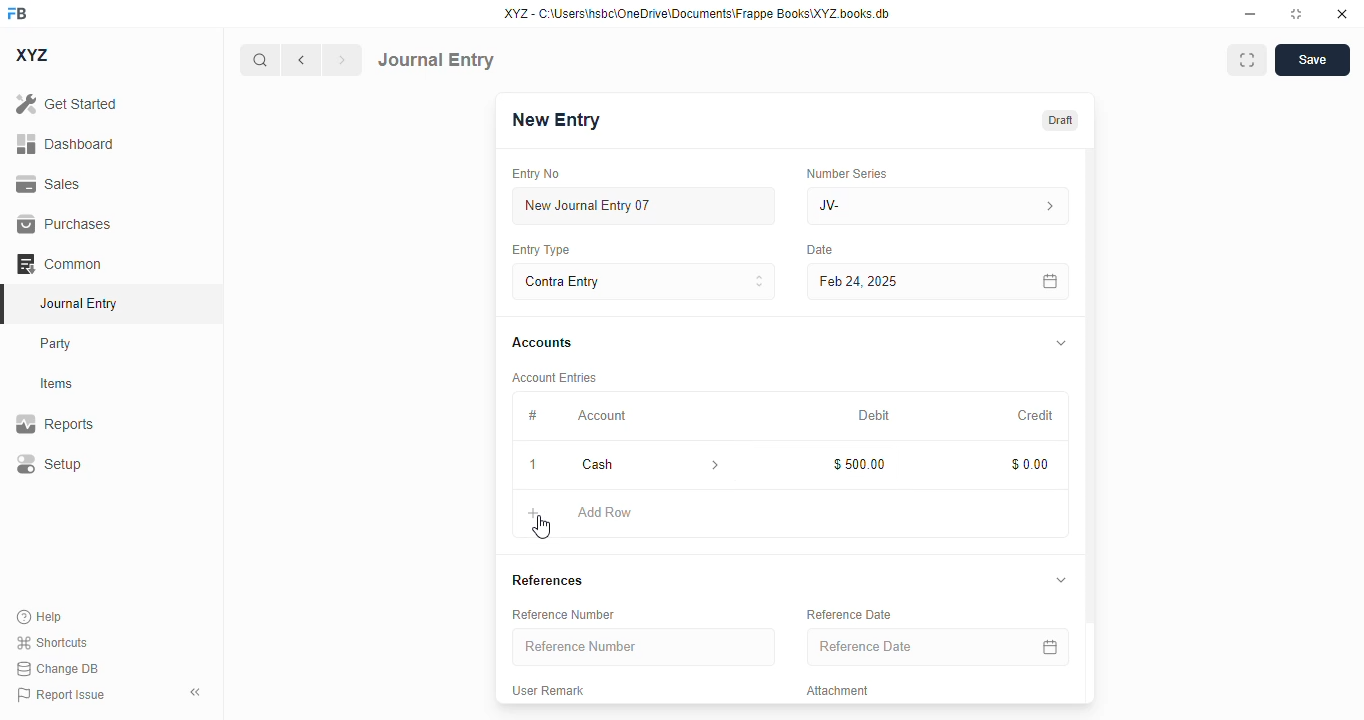 This screenshot has height=720, width=1364. What do you see at coordinates (197, 692) in the screenshot?
I see `toggle sidebar` at bounding box center [197, 692].